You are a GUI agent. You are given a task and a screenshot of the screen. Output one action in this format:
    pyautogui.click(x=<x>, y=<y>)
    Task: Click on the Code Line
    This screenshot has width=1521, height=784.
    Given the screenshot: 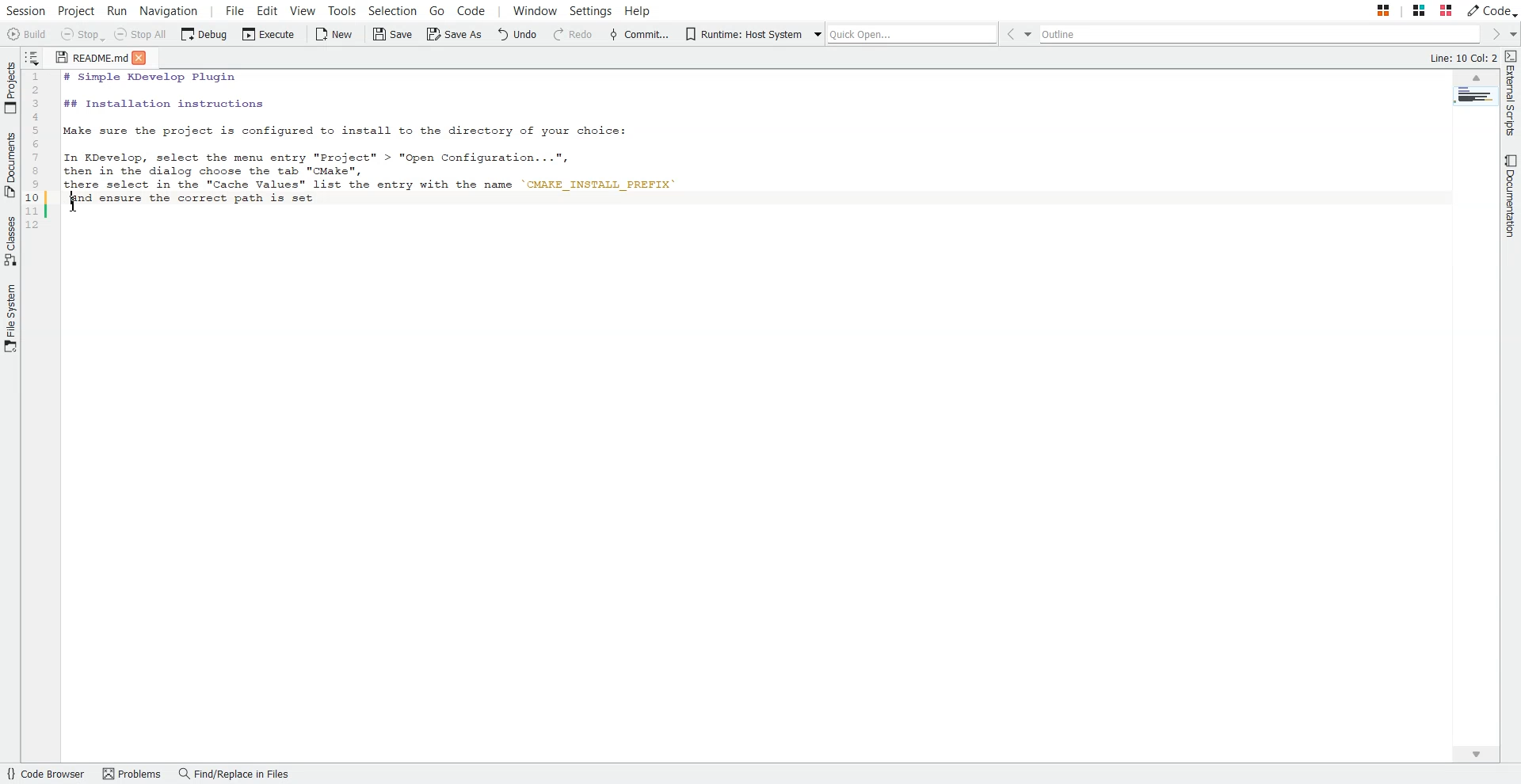 What is the action you would take?
    pyautogui.click(x=36, y=152)
    